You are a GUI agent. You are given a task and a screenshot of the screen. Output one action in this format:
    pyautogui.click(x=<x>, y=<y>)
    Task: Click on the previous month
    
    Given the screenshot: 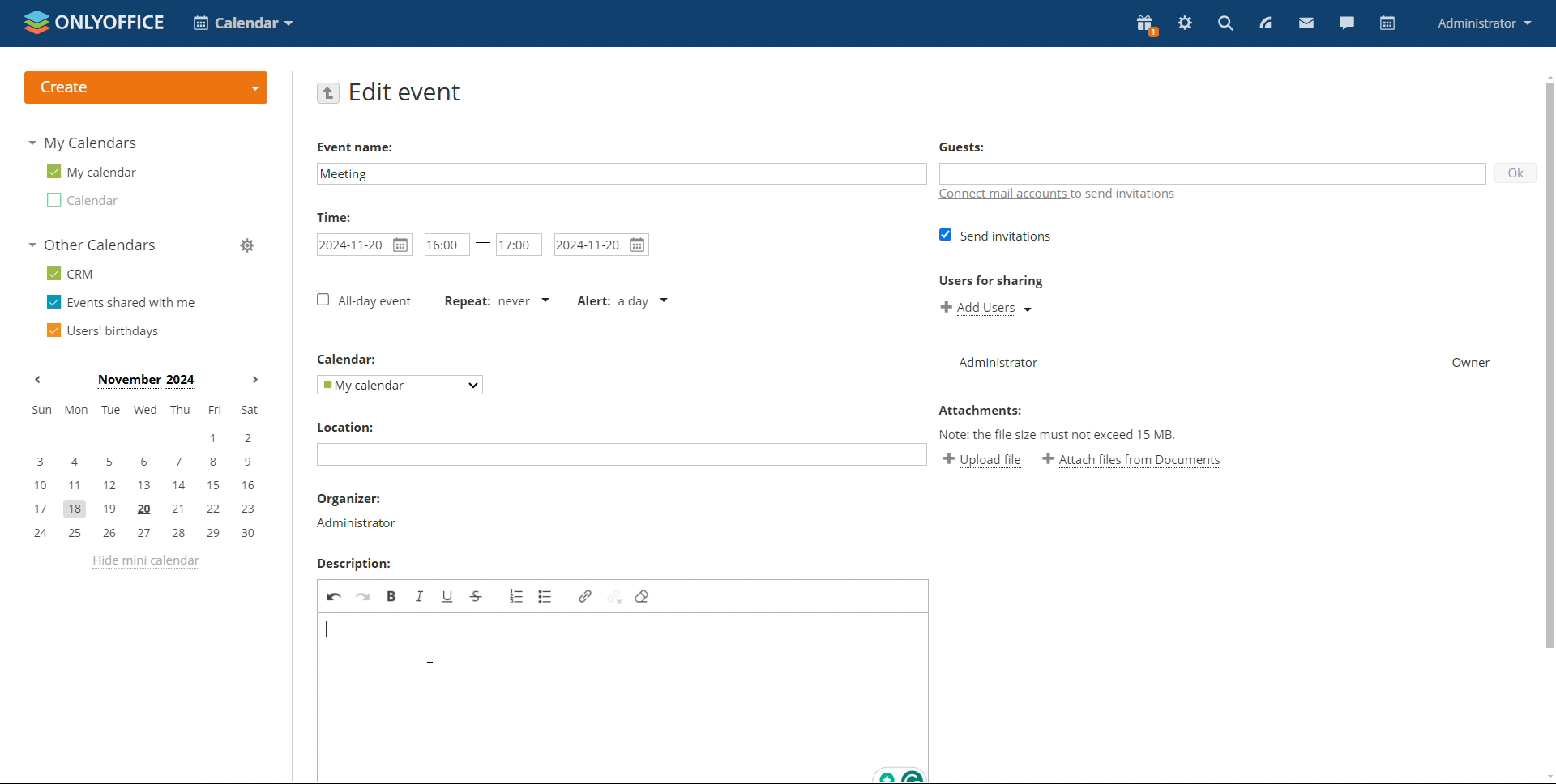 What is the action you would take?
    pyautogui.click(x=37, y=380)
    